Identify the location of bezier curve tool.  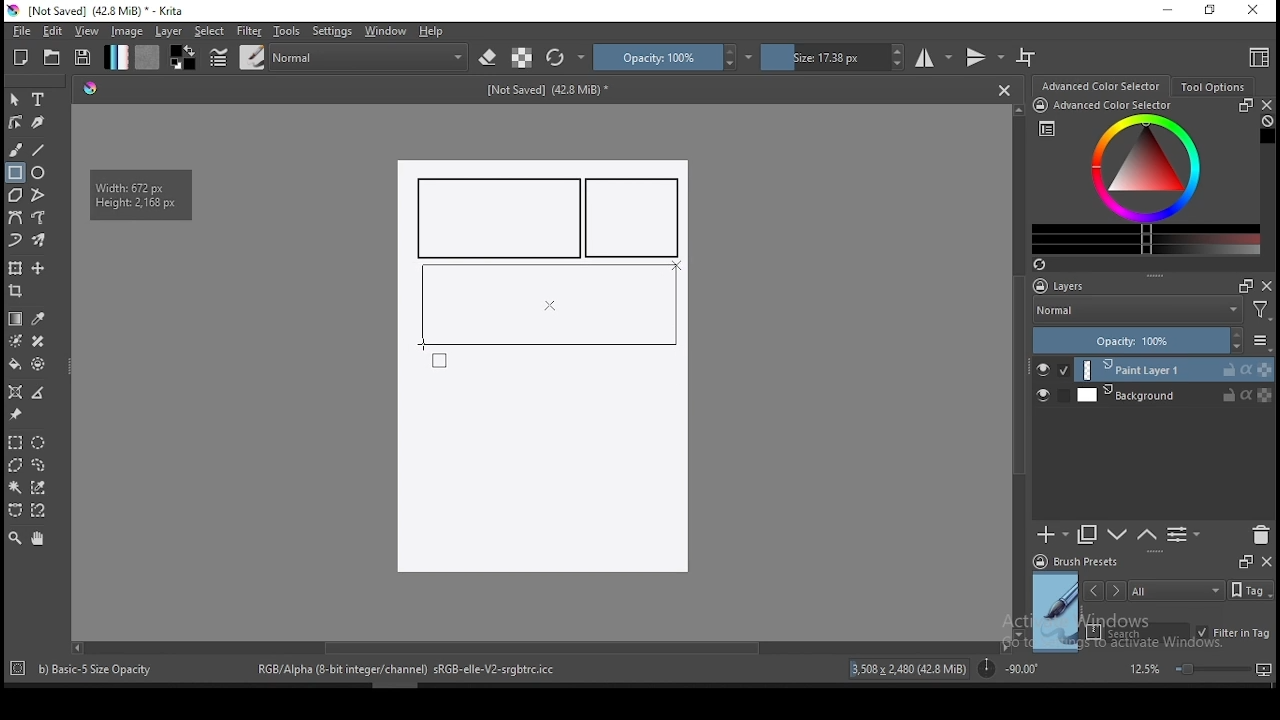
(14, 219).